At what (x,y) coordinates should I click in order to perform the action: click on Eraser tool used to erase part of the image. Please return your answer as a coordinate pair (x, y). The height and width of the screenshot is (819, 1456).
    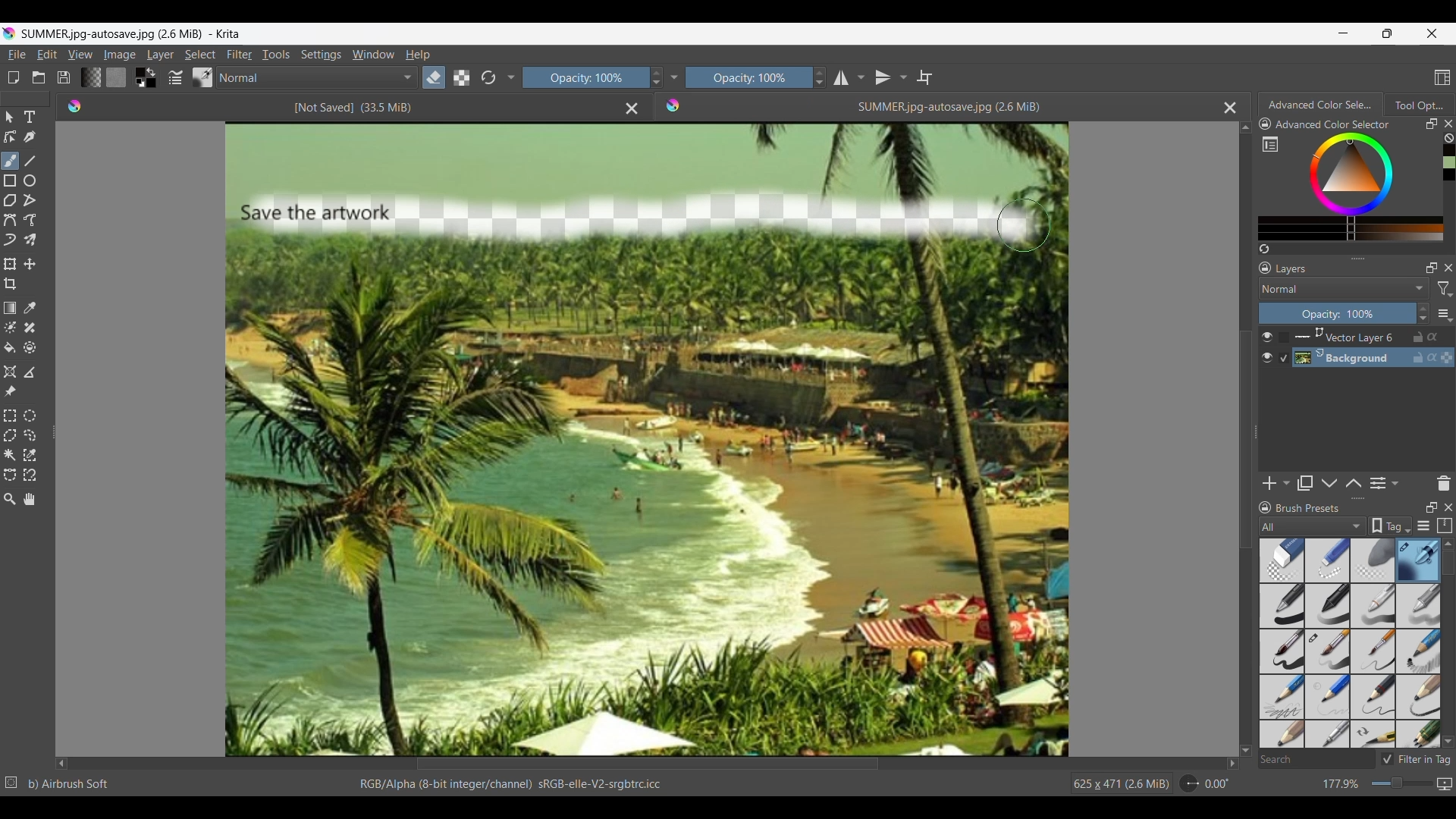
    Looking at the image, I should click on (646, 218).